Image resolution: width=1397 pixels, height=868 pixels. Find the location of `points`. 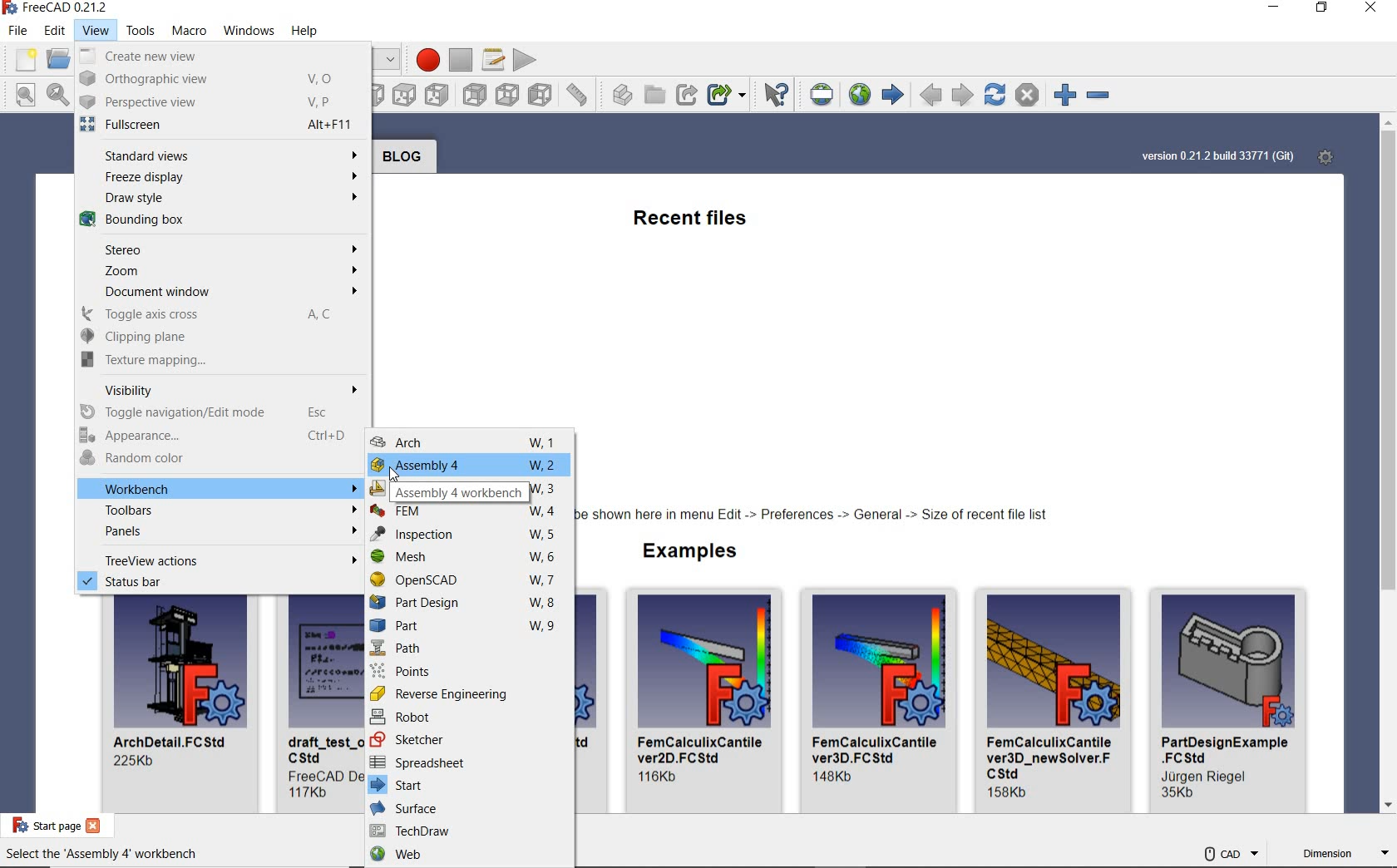

points is located at coordinates (471, 672).